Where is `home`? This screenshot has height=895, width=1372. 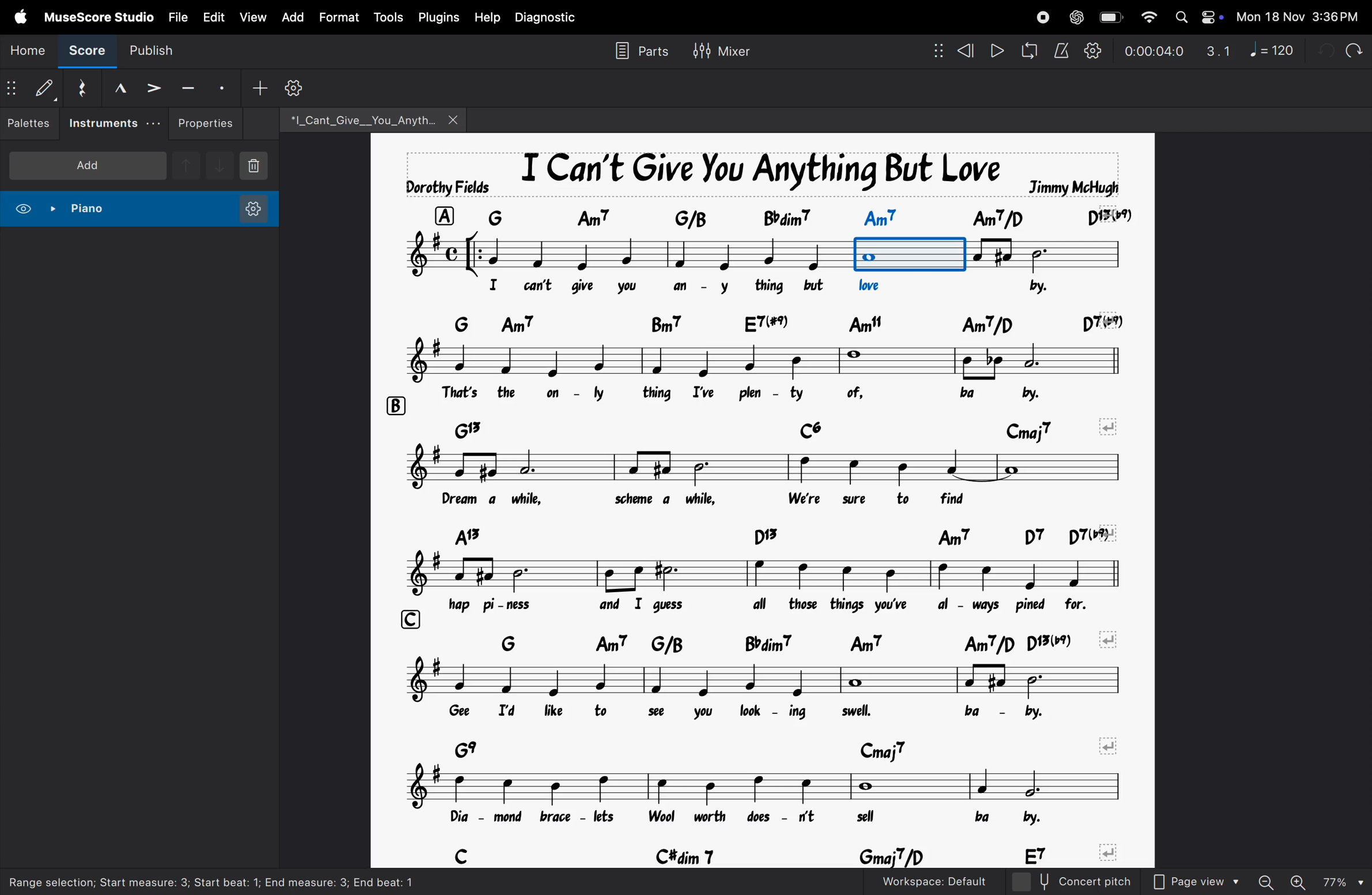 home is located at coordinates (25, 49).